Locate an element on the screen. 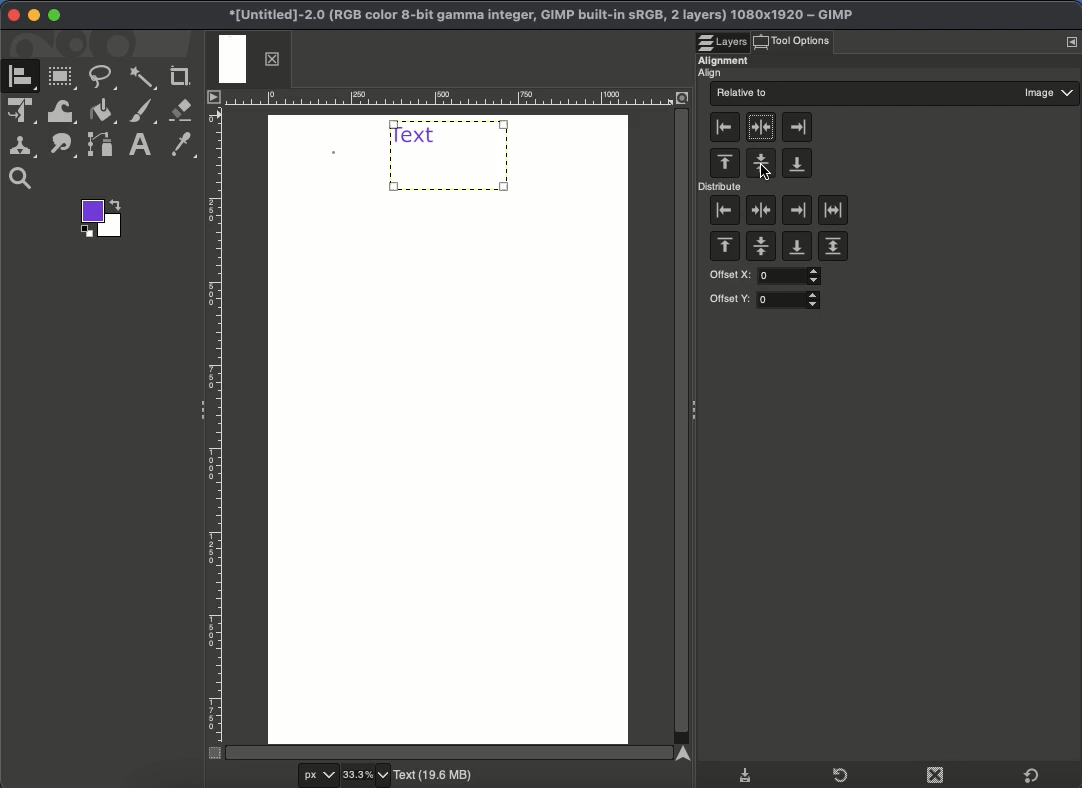 The height and width of the screenshot is (788, 1082). Default tool presets is located at coordinates (1031, 773).